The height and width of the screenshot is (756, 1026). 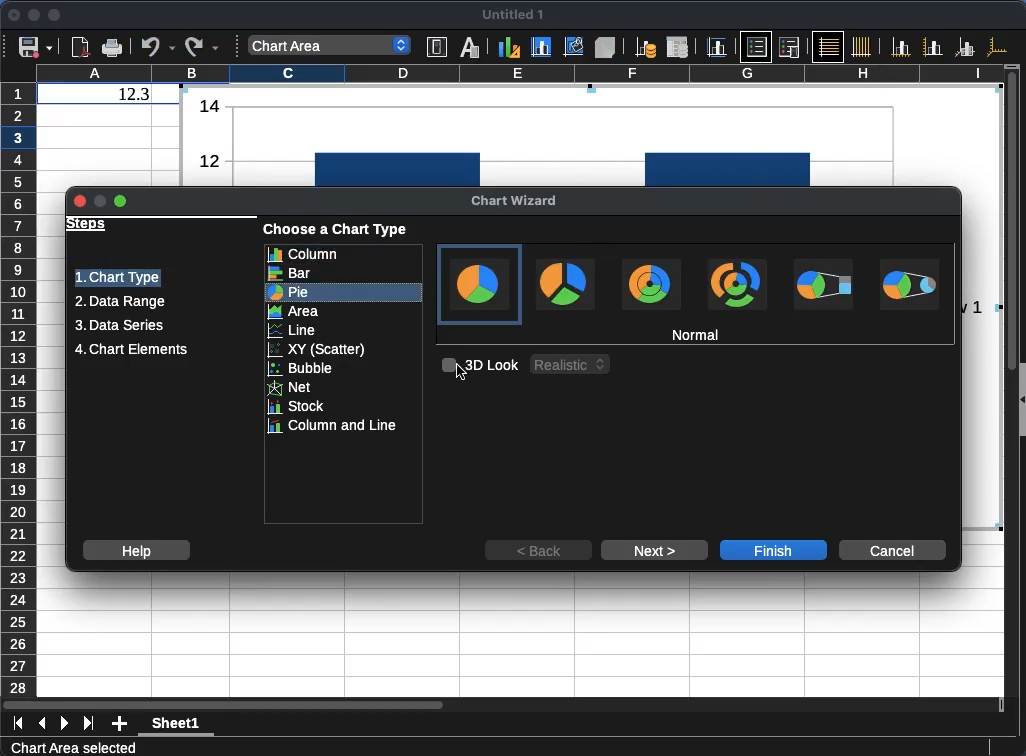 I want to click on Format selection, so click(x=437, y=47).